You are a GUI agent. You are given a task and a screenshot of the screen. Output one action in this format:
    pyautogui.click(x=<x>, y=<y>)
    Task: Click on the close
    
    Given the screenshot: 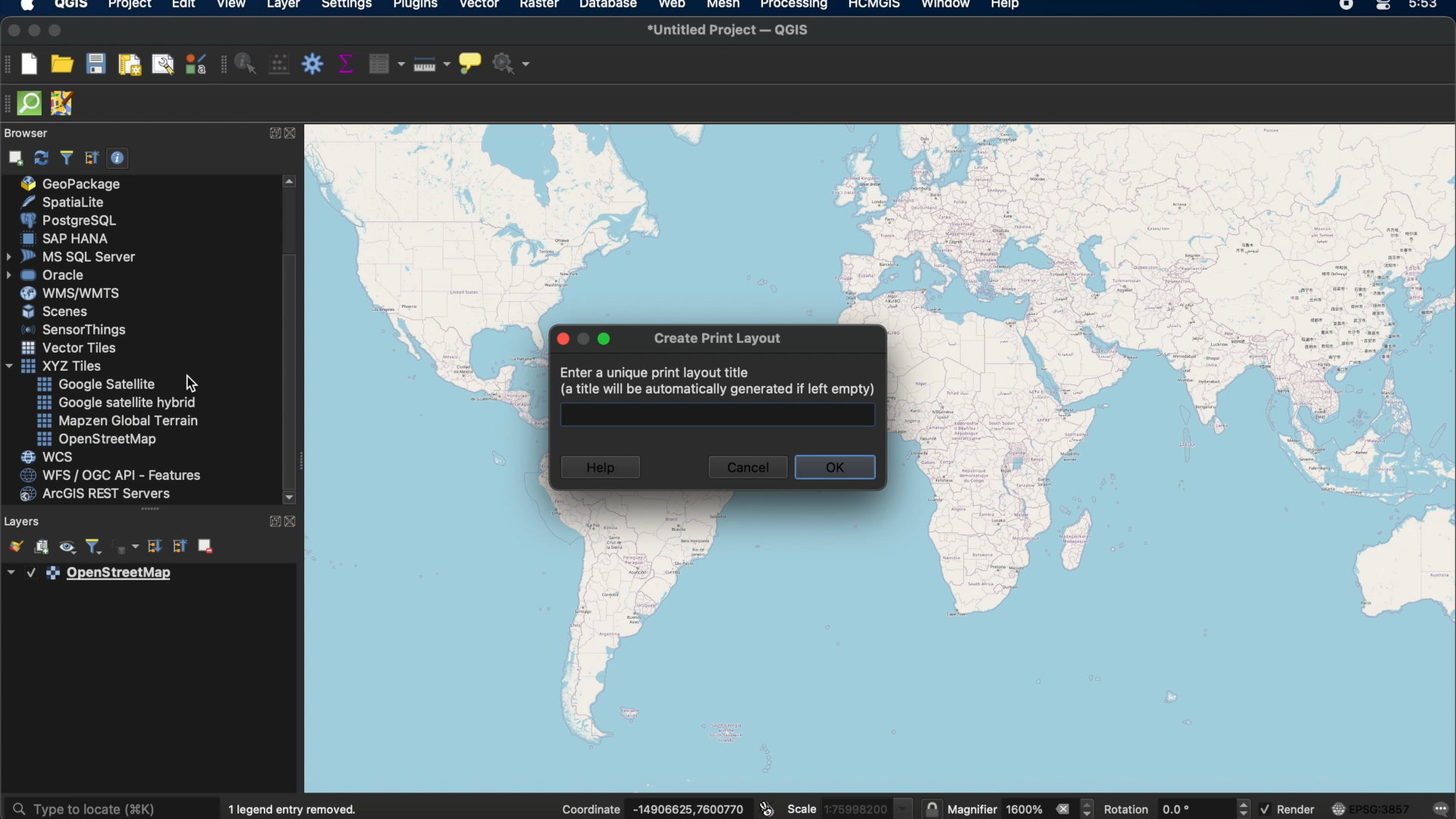 What is the action you would take?
    pyautogui.click(x=294, y=522)
    